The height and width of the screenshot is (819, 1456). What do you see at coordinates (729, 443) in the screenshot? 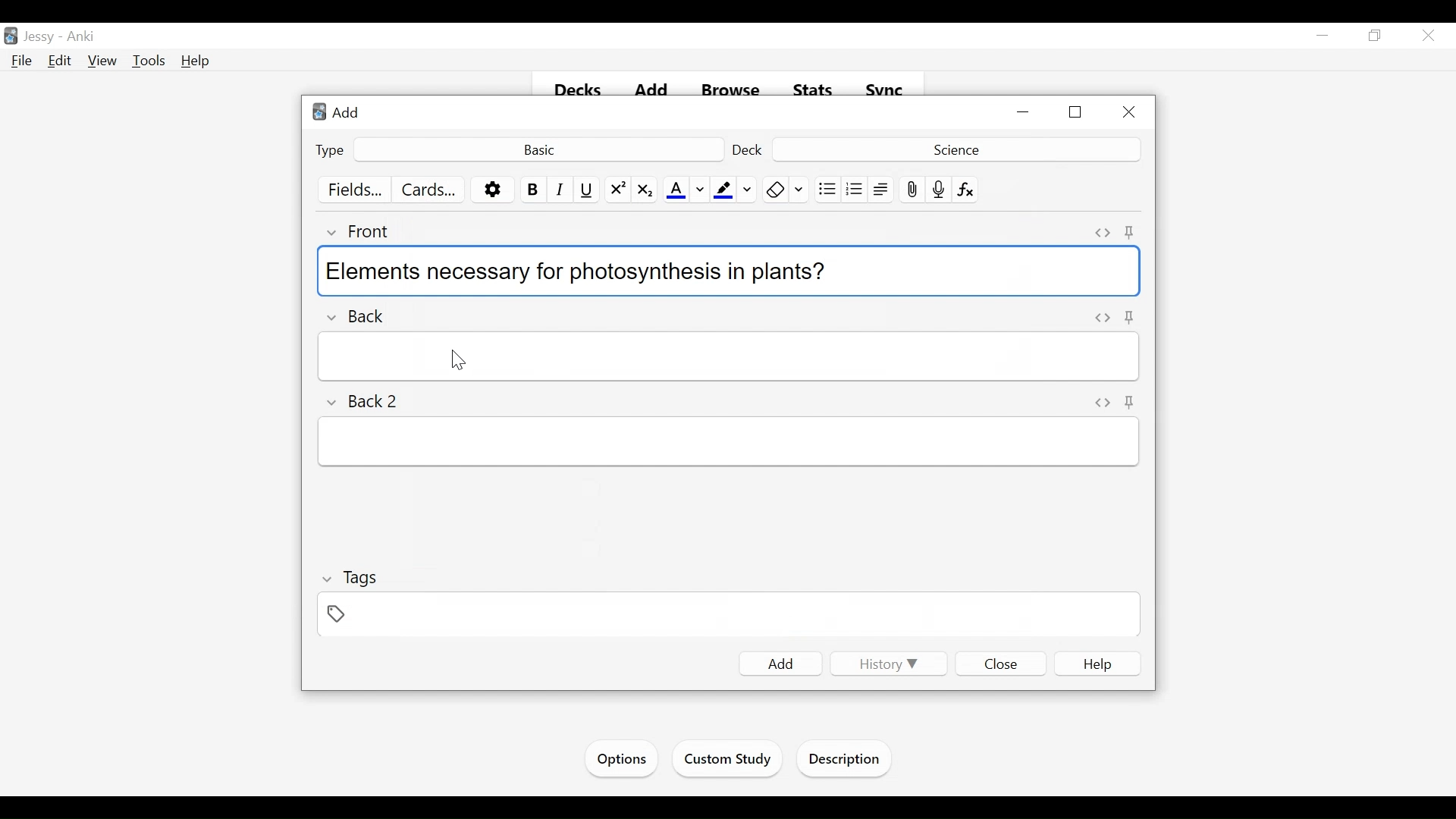
I see `Back 2 Field` at bounding box center [729, 443].